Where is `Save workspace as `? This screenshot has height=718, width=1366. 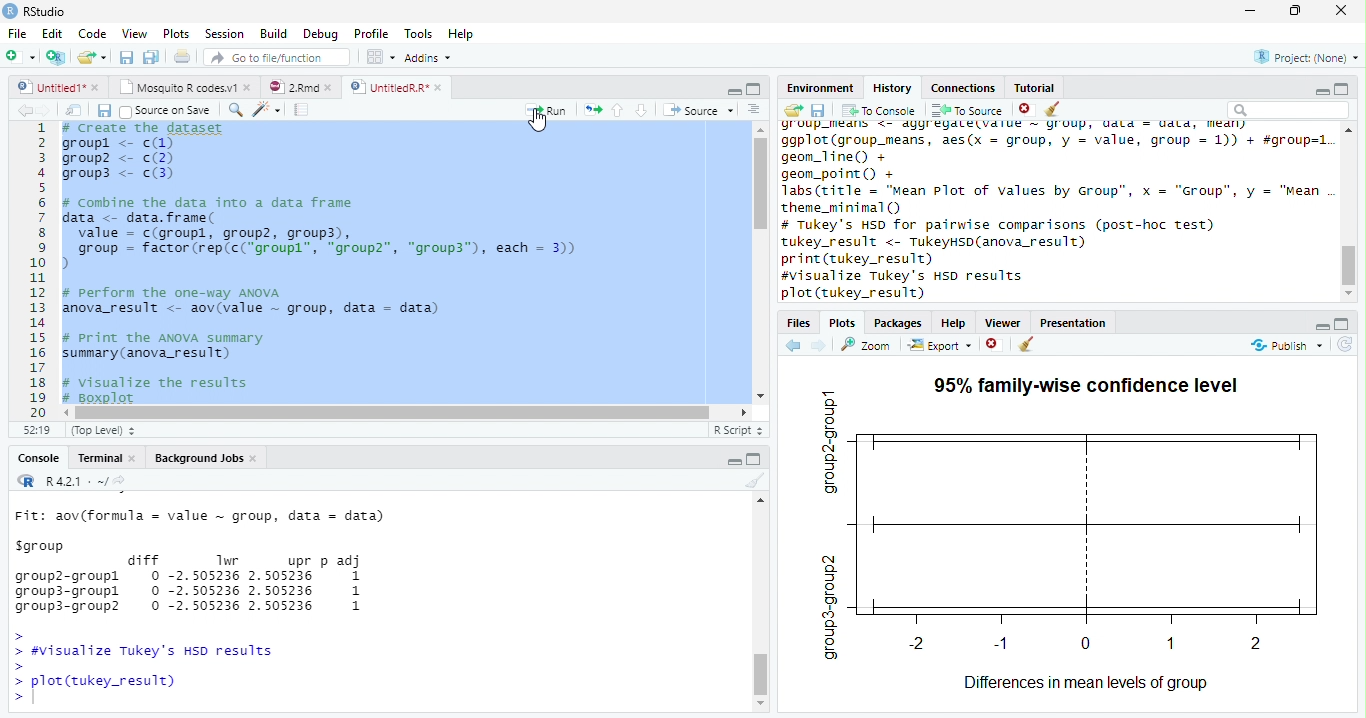
Save workspace as  is located at coordinates (821, 111).